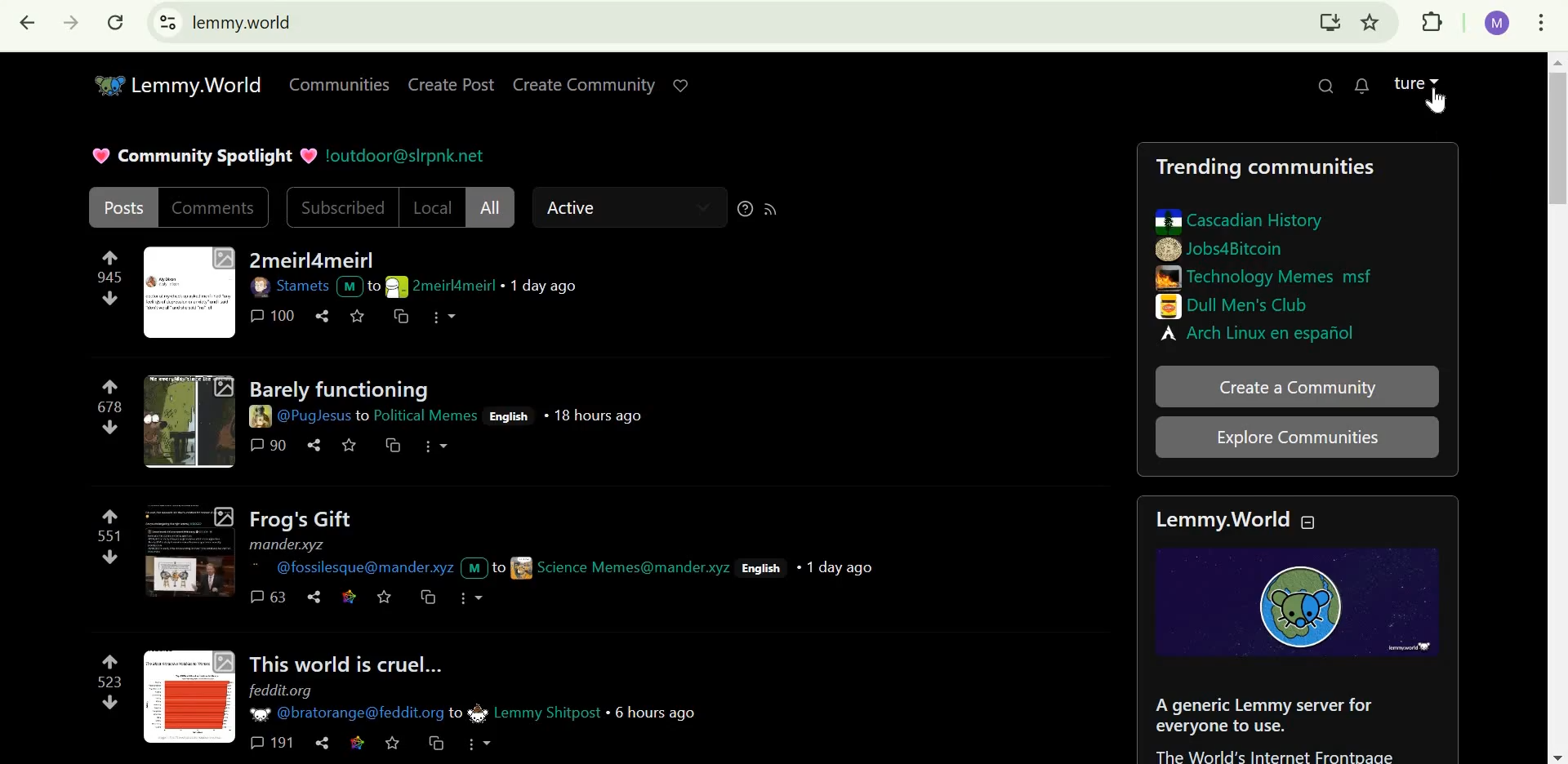 The height and width of the screenshot is (764, 1568). I want to click on subscribed, so click(343, 208).